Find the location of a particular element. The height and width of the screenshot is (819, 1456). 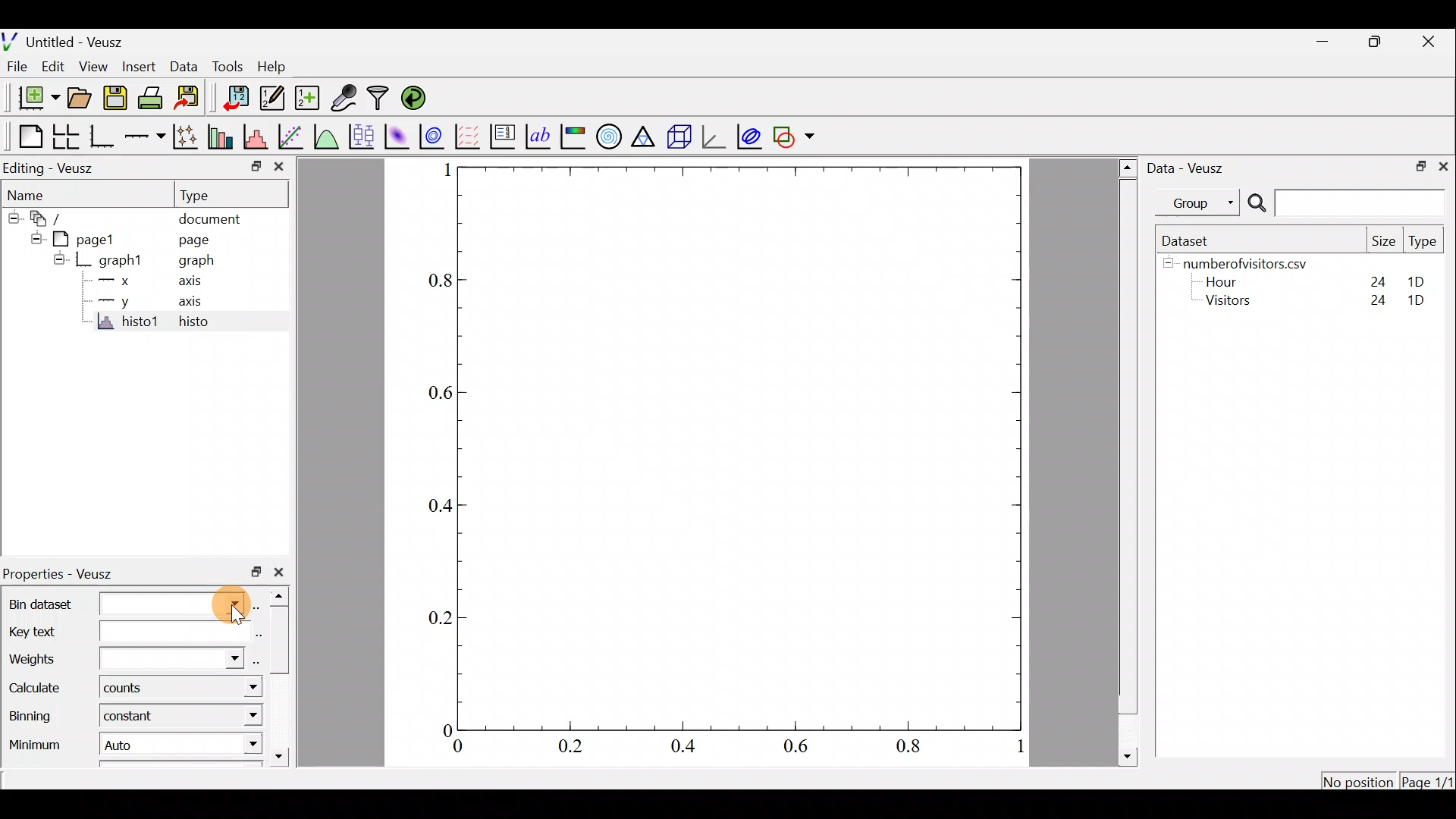

histo is located at coordinates (196, 324).